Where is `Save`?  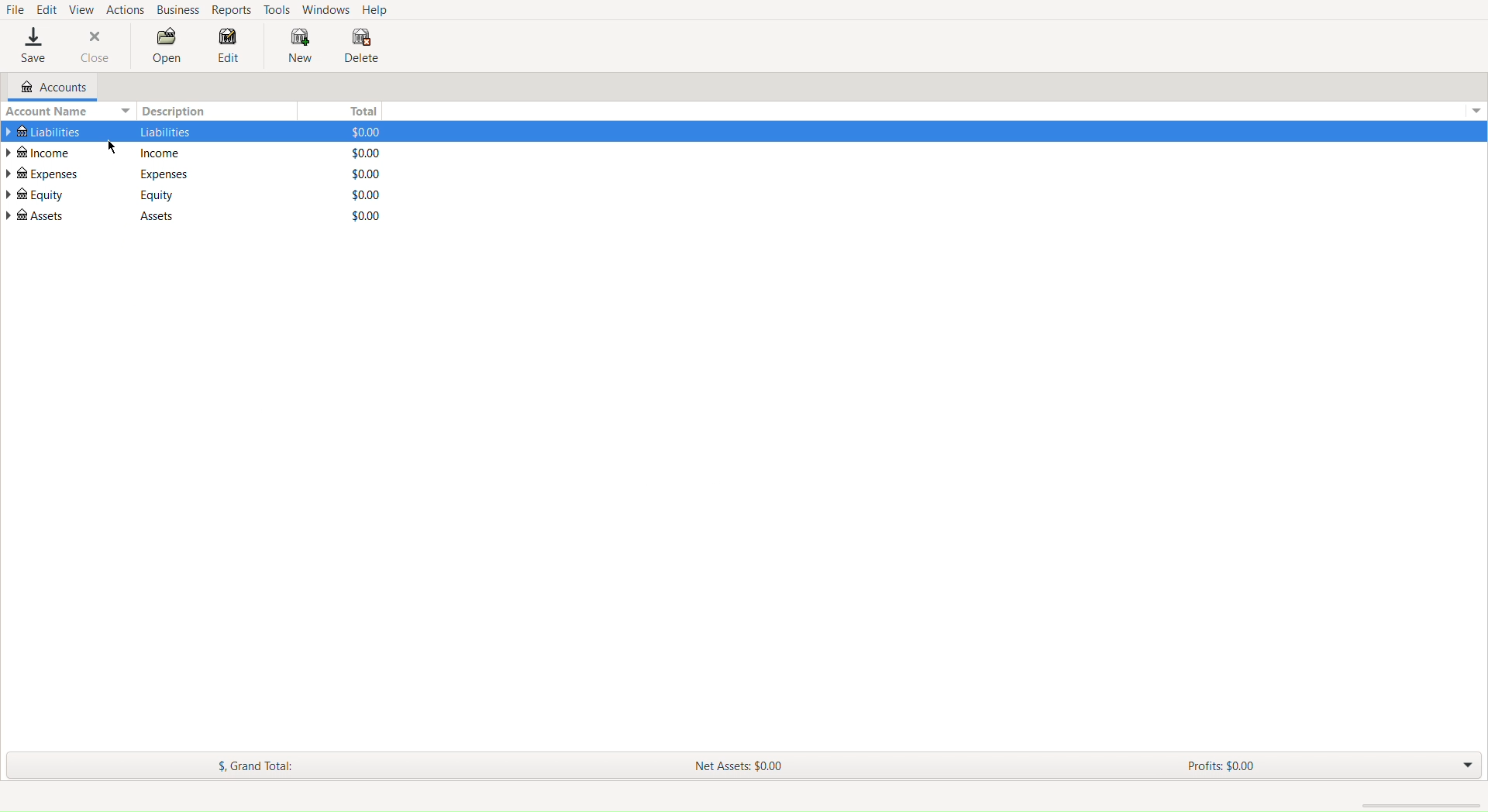 Save is located at coordinates (27, 47).